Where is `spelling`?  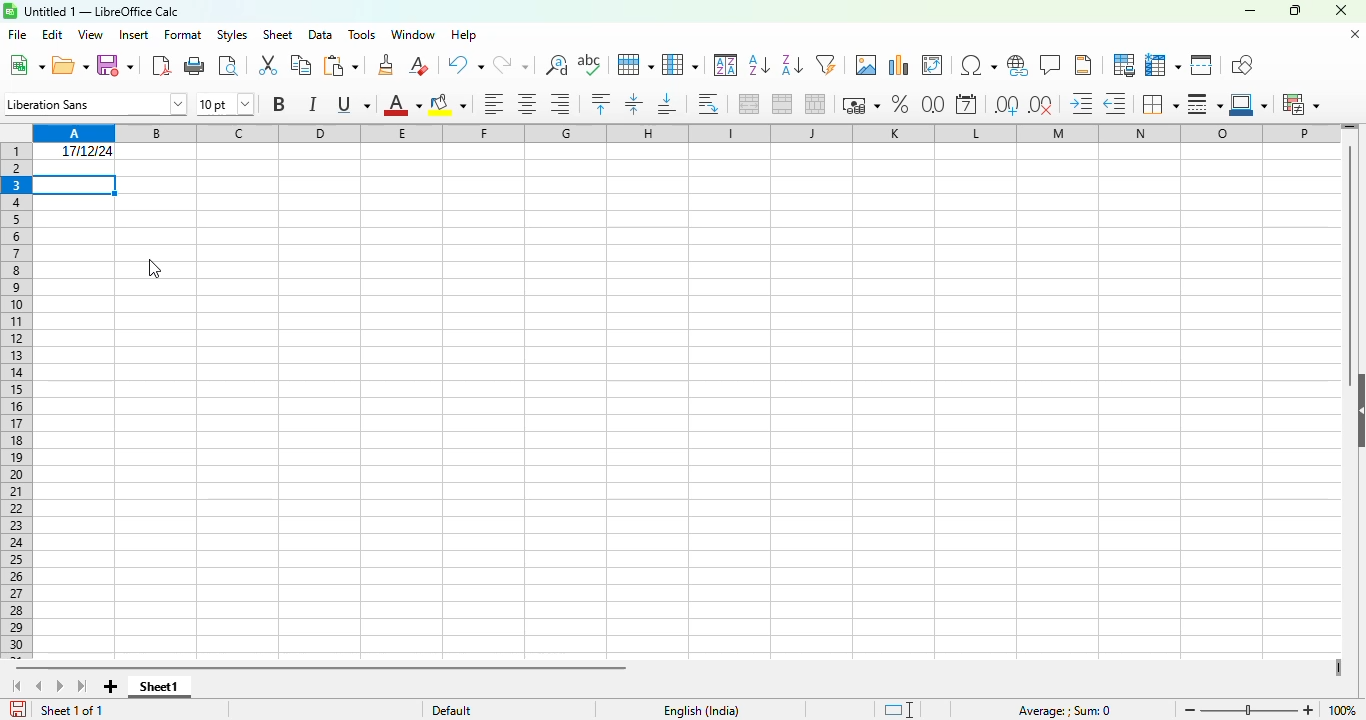
spelling is located at coordinates (589, 65).